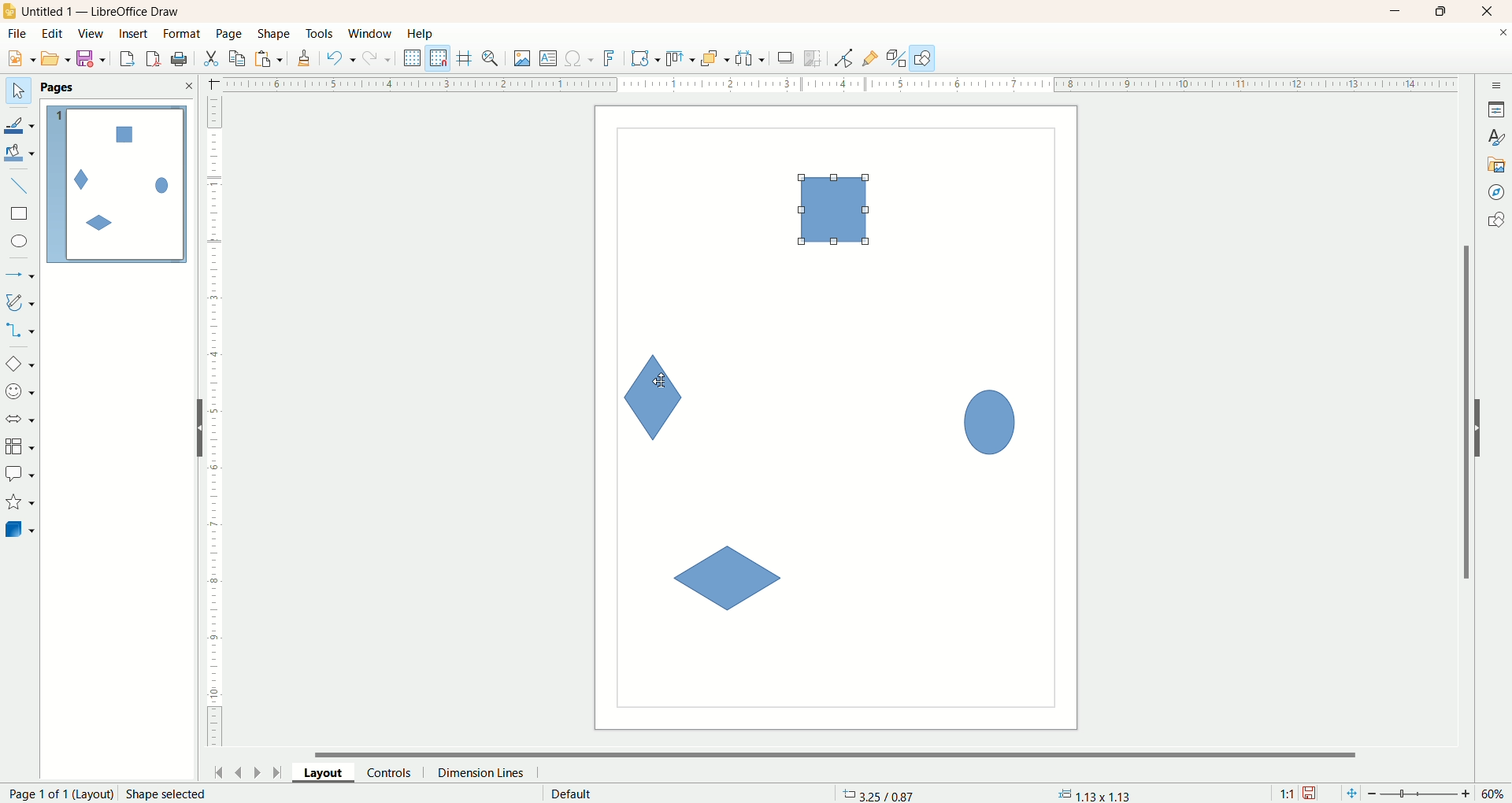 This screenshot has height=803, width=1512. What do you see at coordinates (341, 58) in the screenshot?
I see `undo` at bounding box center [341, 58].